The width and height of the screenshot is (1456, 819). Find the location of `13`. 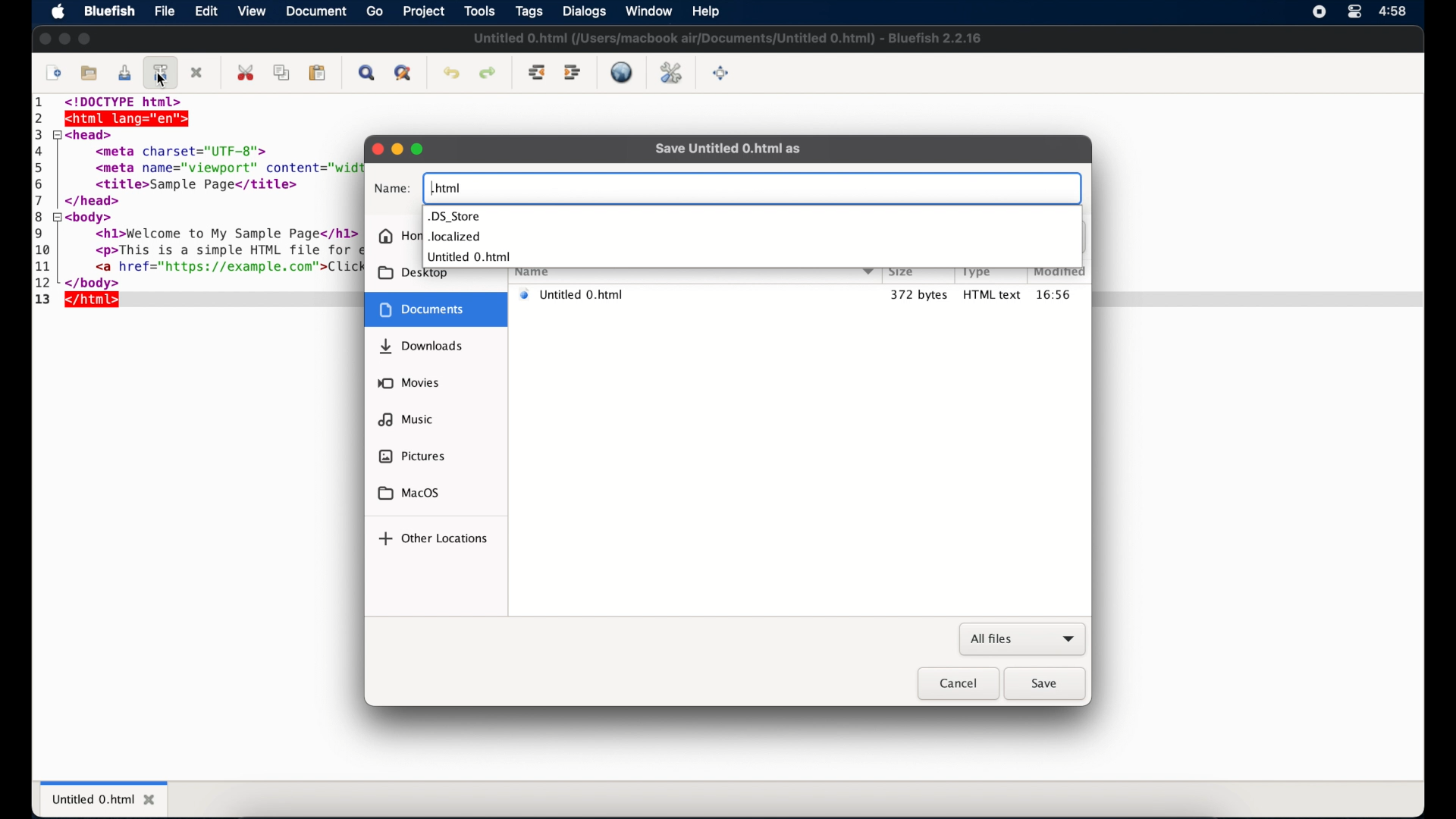

13 is located at coordinates (42, 300).